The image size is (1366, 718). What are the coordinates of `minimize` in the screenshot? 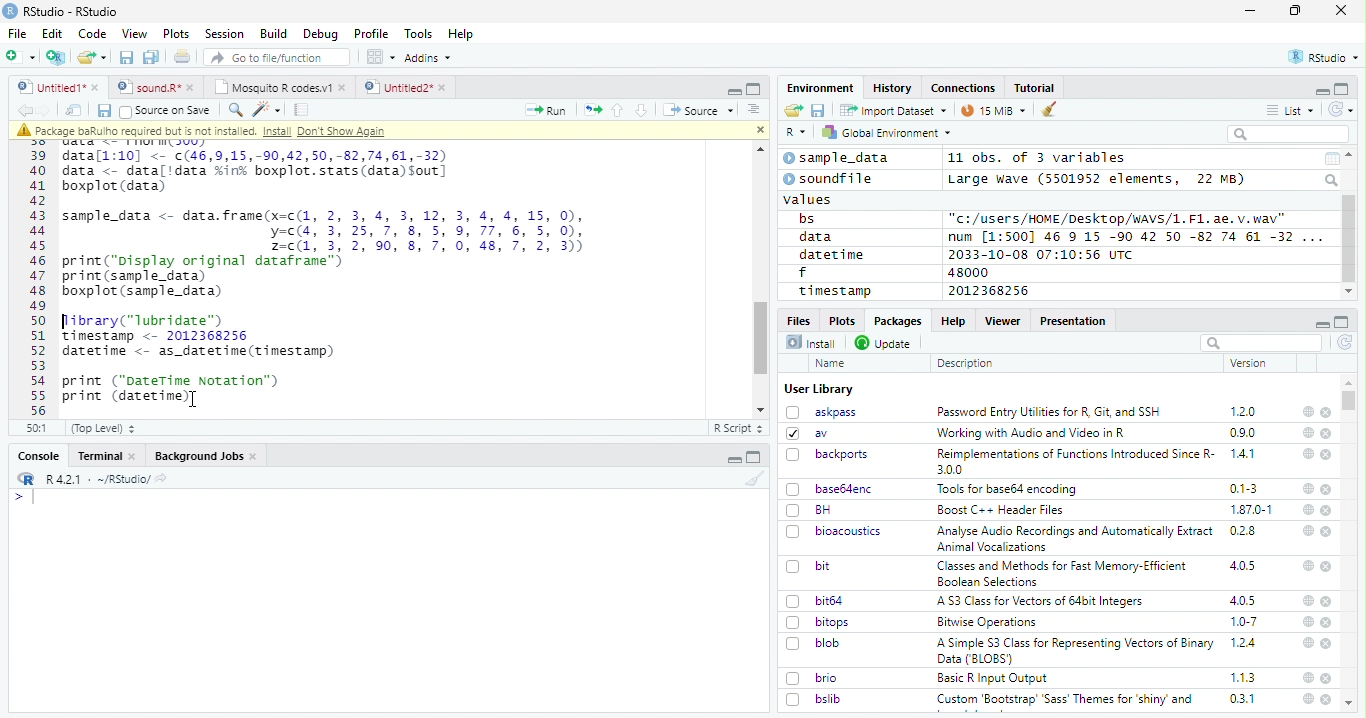 It's located at (733, 89).